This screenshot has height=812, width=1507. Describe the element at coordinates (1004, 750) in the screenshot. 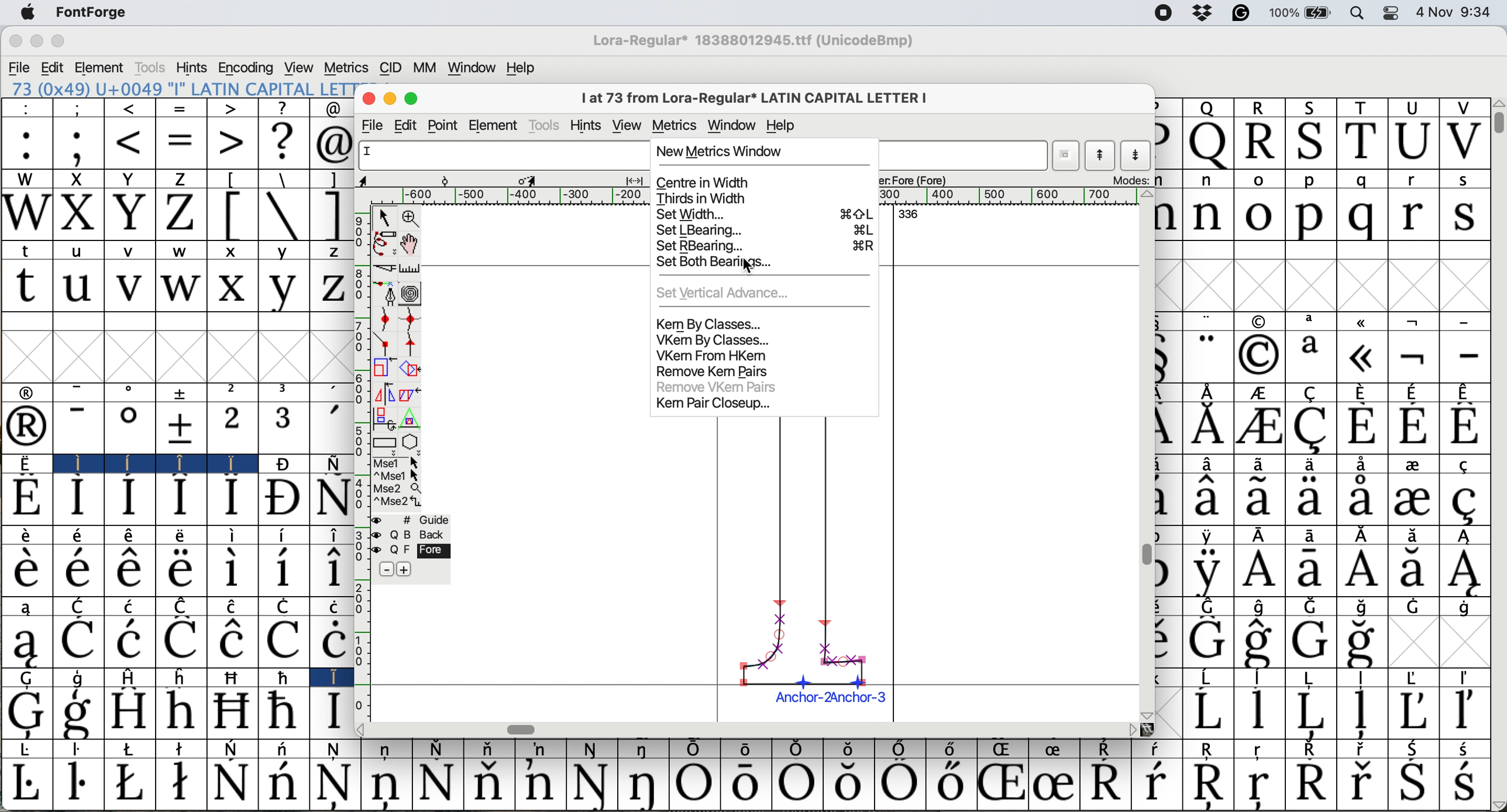

I see `Symbol` at that location.